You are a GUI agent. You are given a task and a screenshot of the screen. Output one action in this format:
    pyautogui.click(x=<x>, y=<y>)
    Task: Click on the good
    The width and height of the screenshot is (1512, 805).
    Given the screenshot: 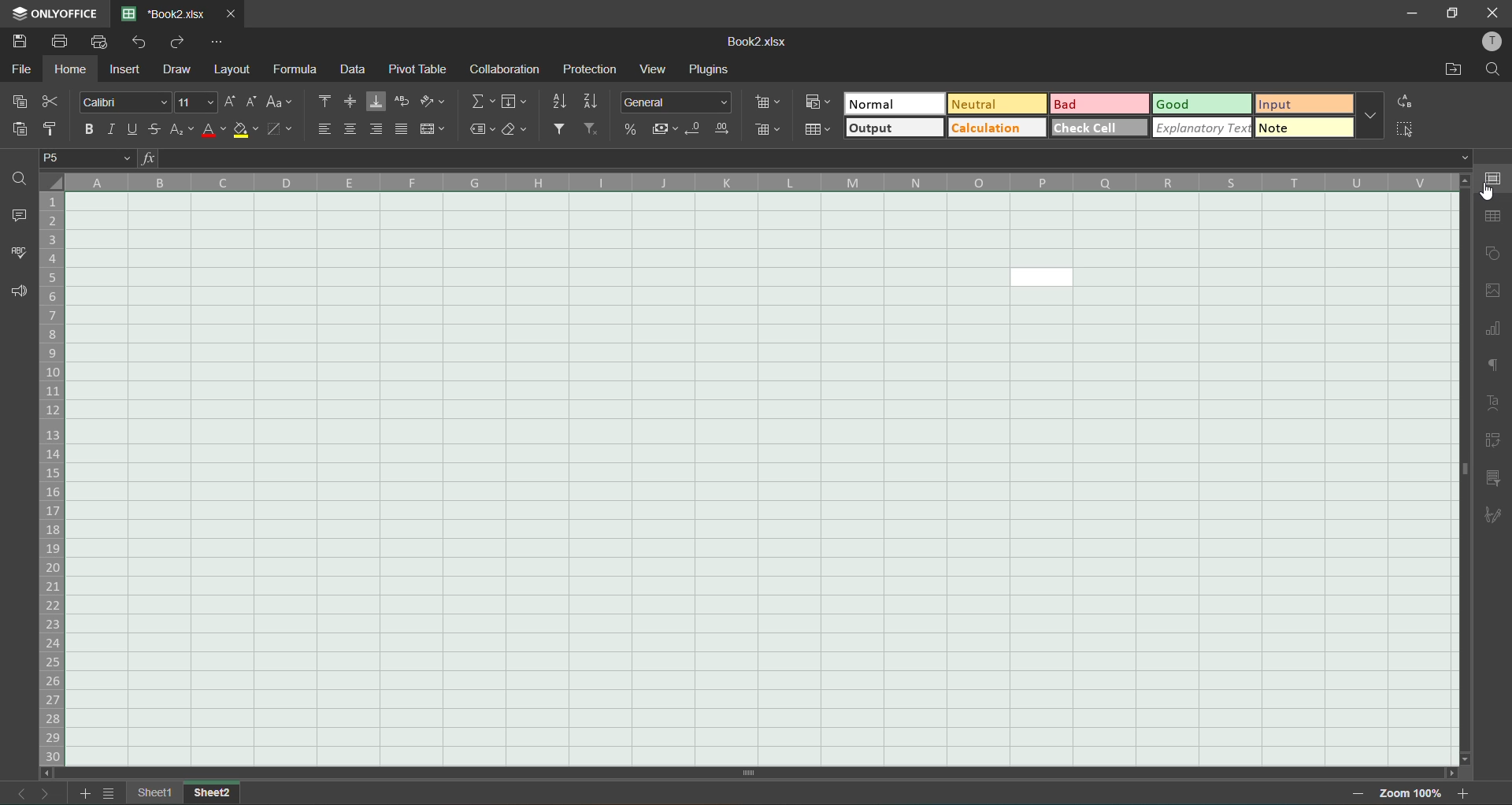 What is the action you would take?
    pyautogui.click(x=1203, y=104)
    